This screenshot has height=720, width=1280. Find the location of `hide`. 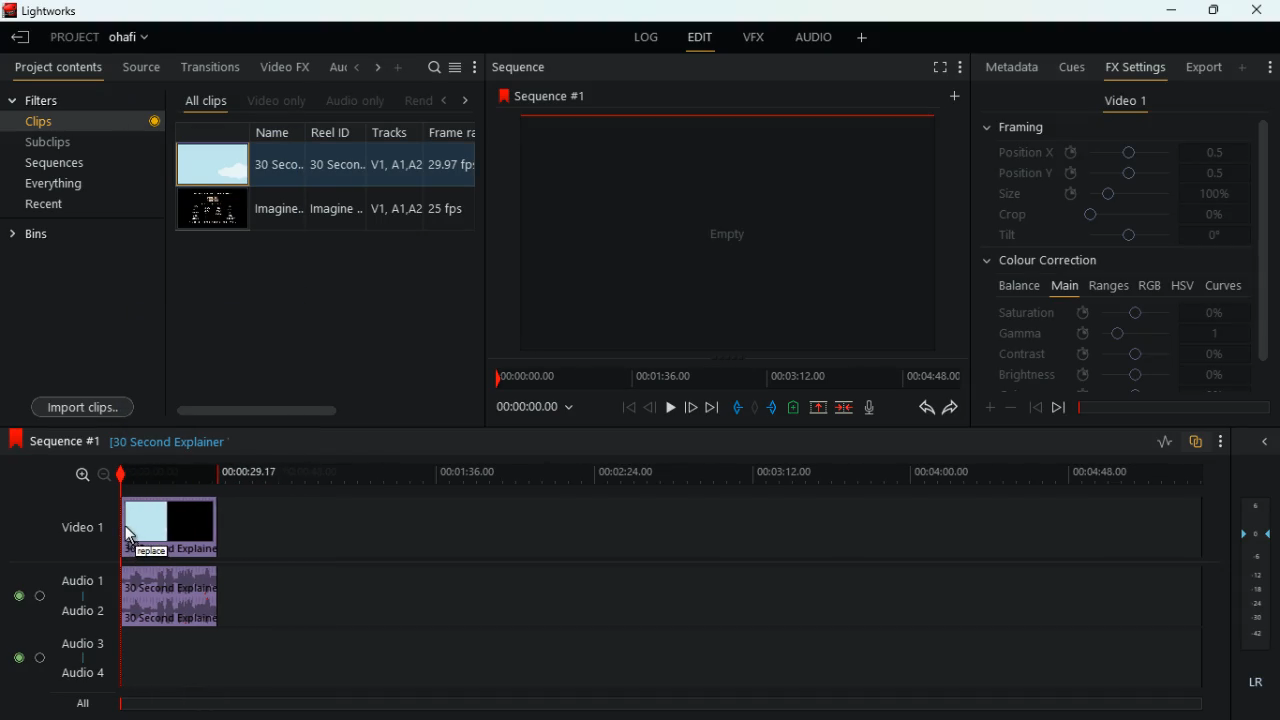

hide is located at coordinates (1260, 440).